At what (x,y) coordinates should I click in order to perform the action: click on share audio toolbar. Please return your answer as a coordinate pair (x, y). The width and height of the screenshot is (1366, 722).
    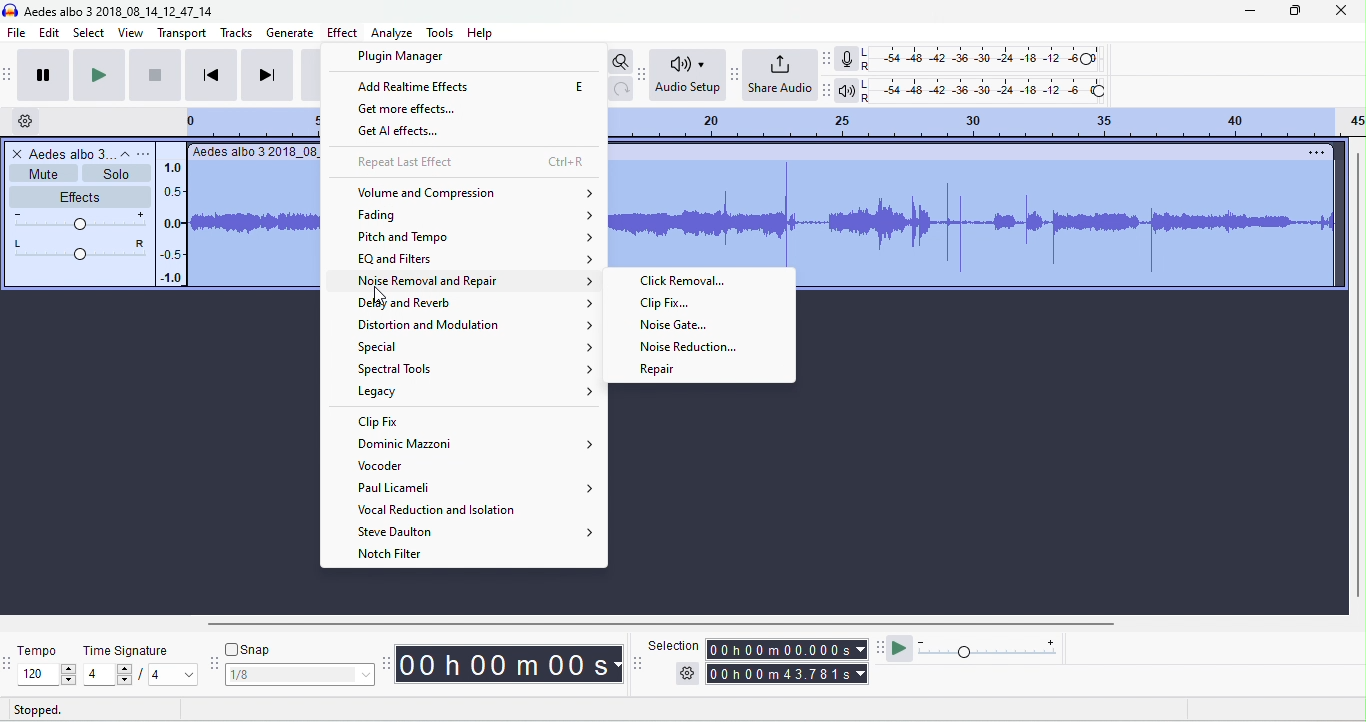
    Looking at the image, I should click on (735, 74).